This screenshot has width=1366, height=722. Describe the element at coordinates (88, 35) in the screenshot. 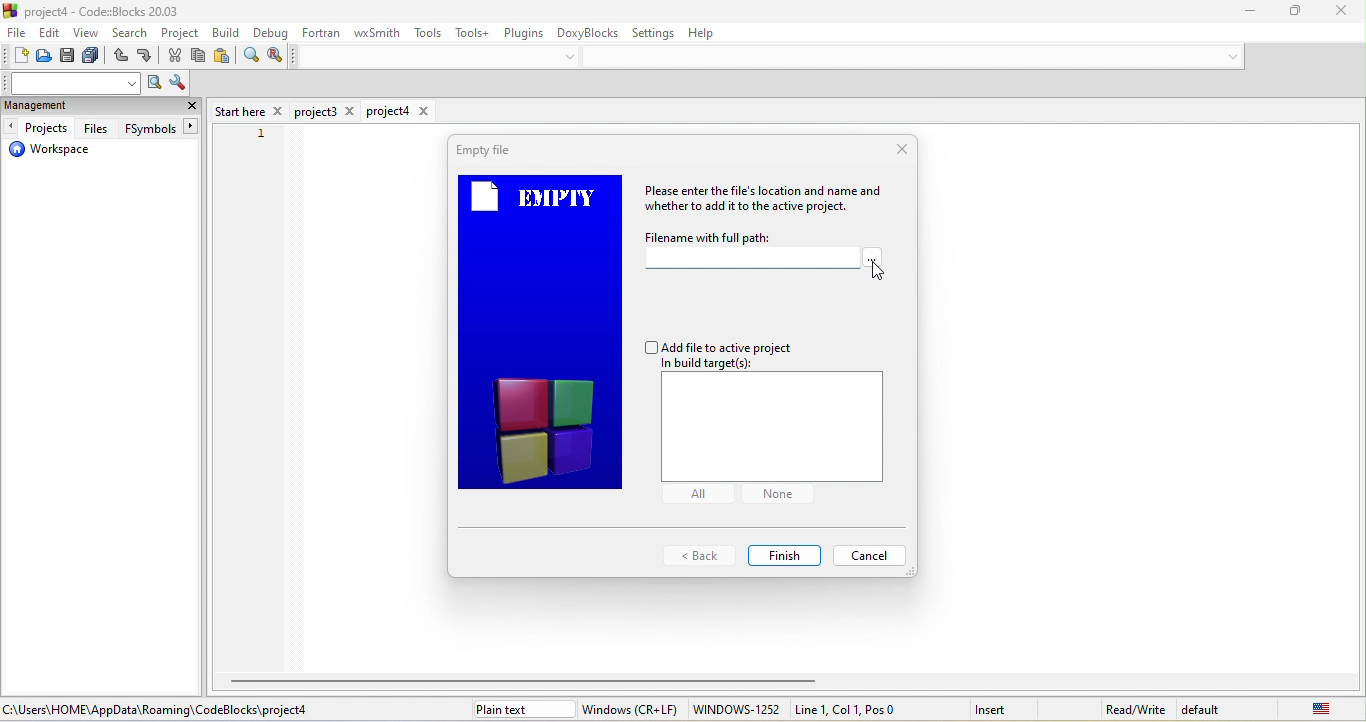

I see `view` at that location.